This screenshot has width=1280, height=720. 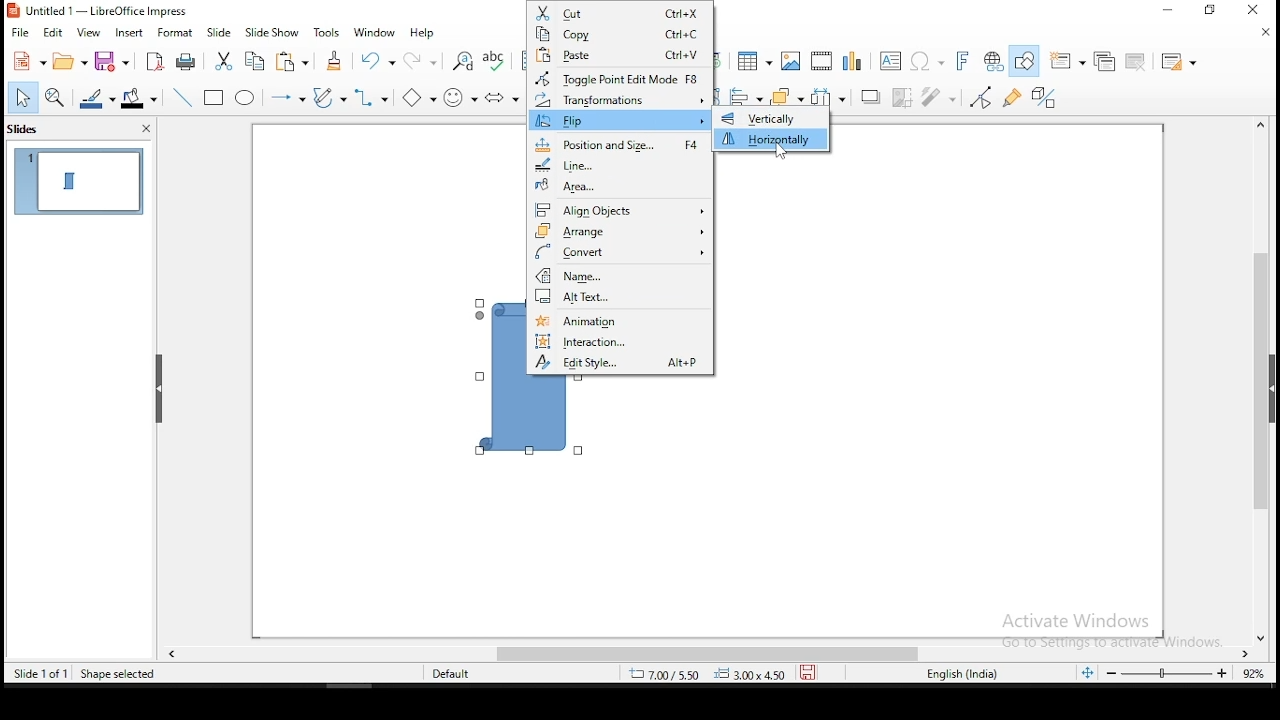 I want to click on cut, so click(x=224, y=60).